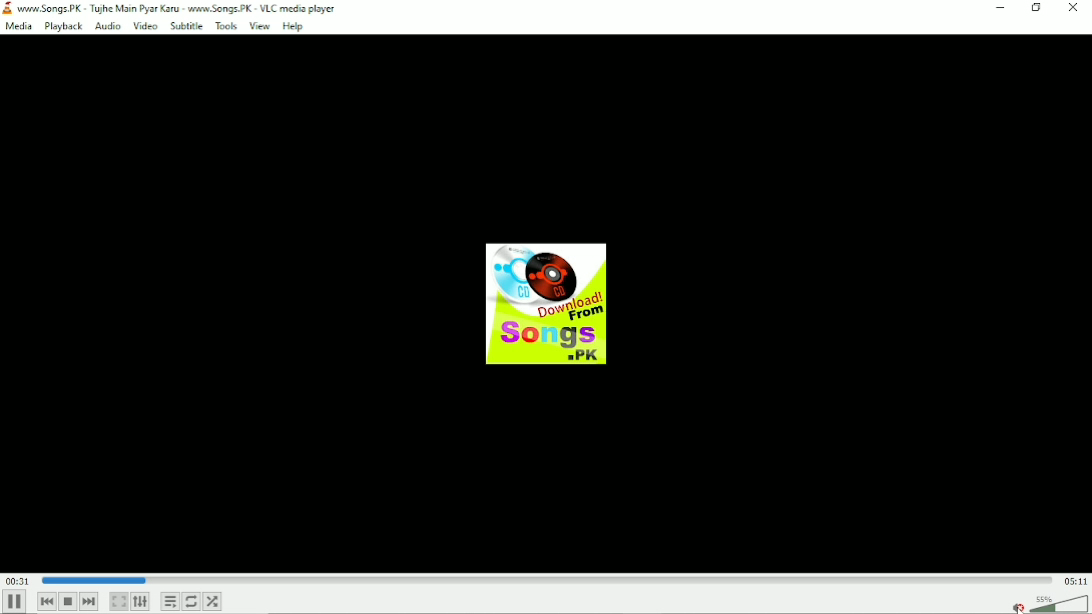  What do you see at coordinates (1036, 10) in the screenshot?
I see `Restore down` at bounding box center [1036, 10].